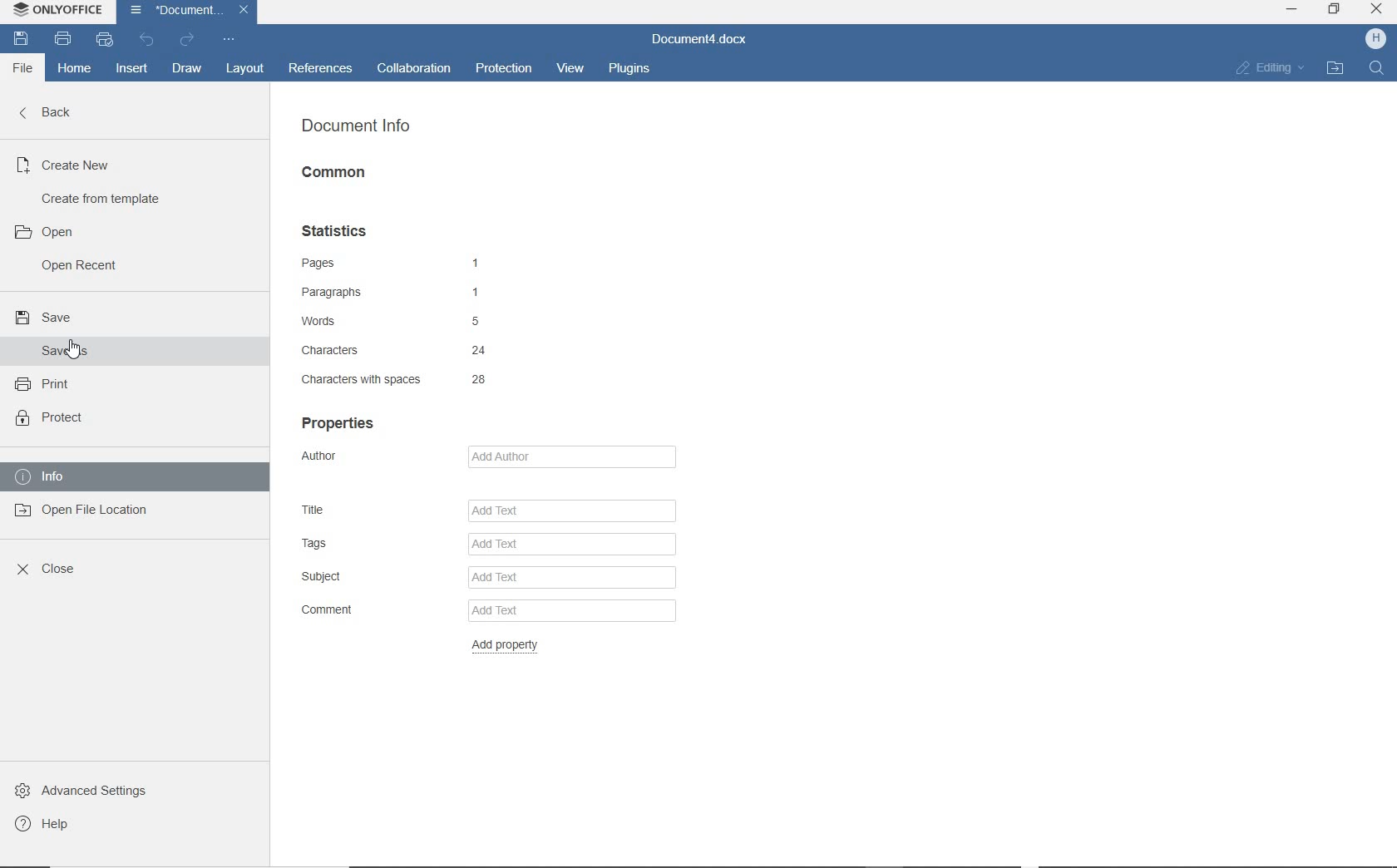 This screenshot has height=868, width=1397. What do you see at coordinates (42, 318) in the screenshot?
I see `save` at bounding box center [42, 318].